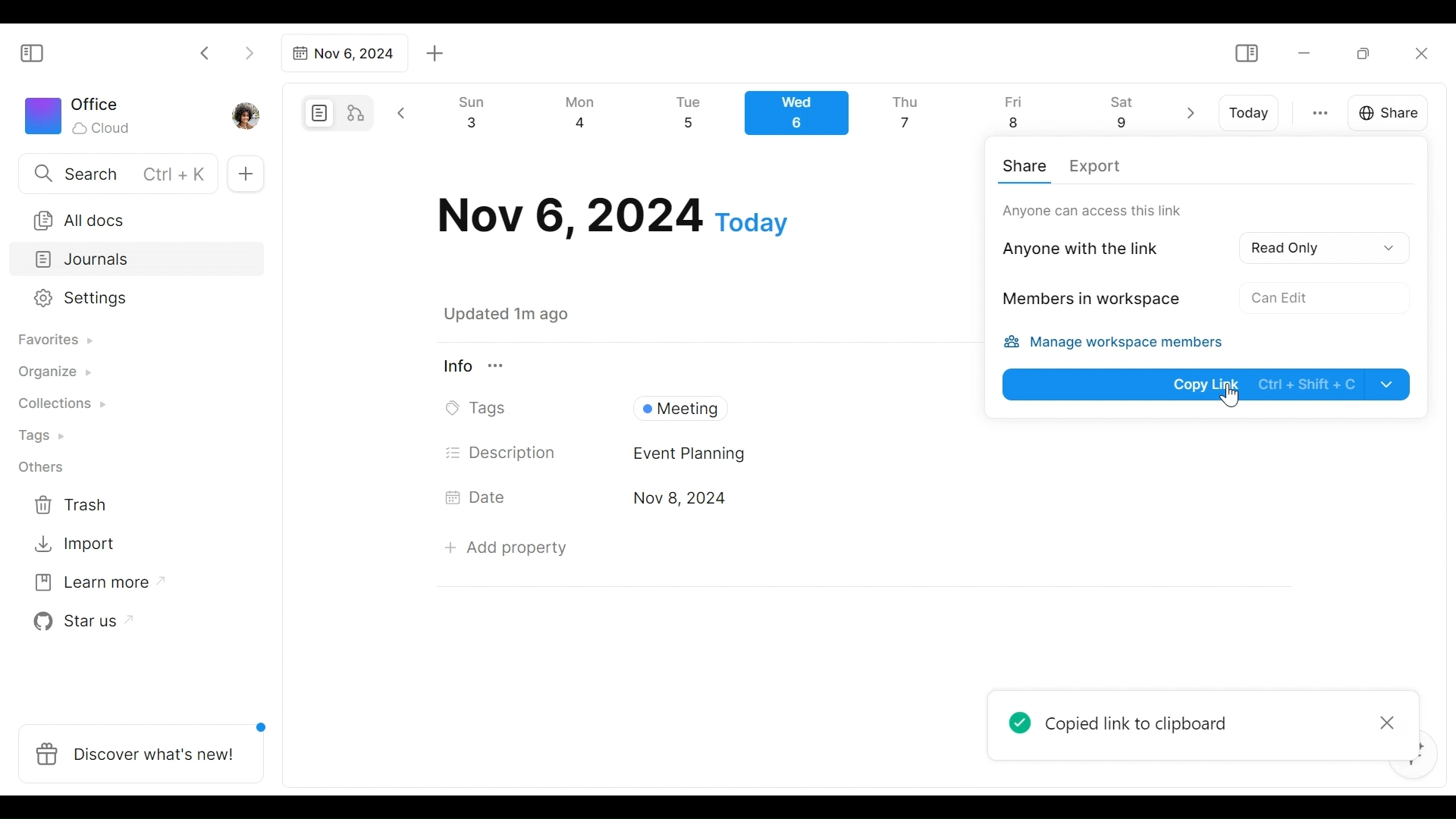  What do you see at coordinates (1442, 431) in the screenshot?
I see `vertical scrollbar` at bounding box center [1442, 431].